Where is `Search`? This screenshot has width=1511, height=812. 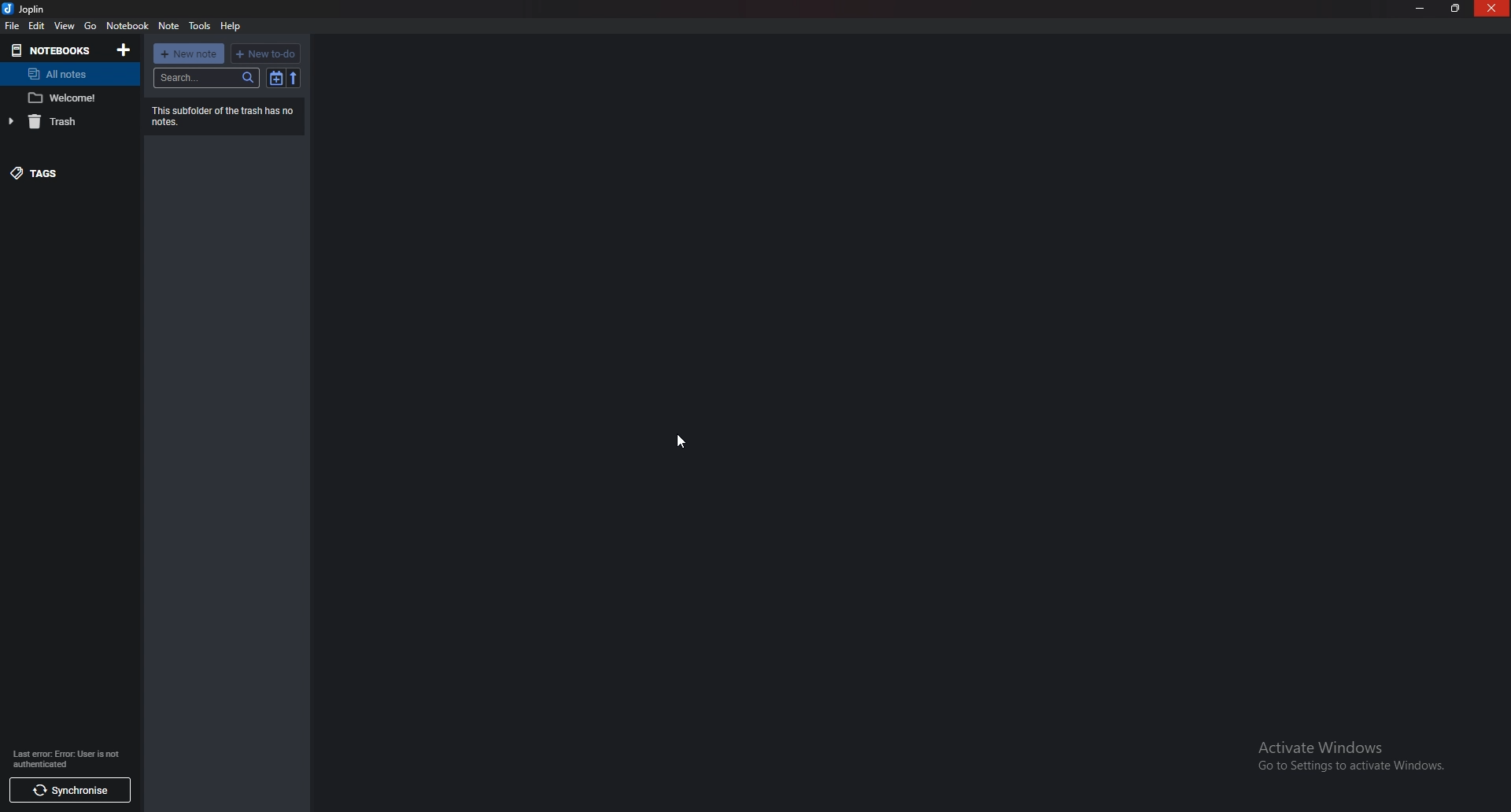
Search is located at coordinates (207, 78).